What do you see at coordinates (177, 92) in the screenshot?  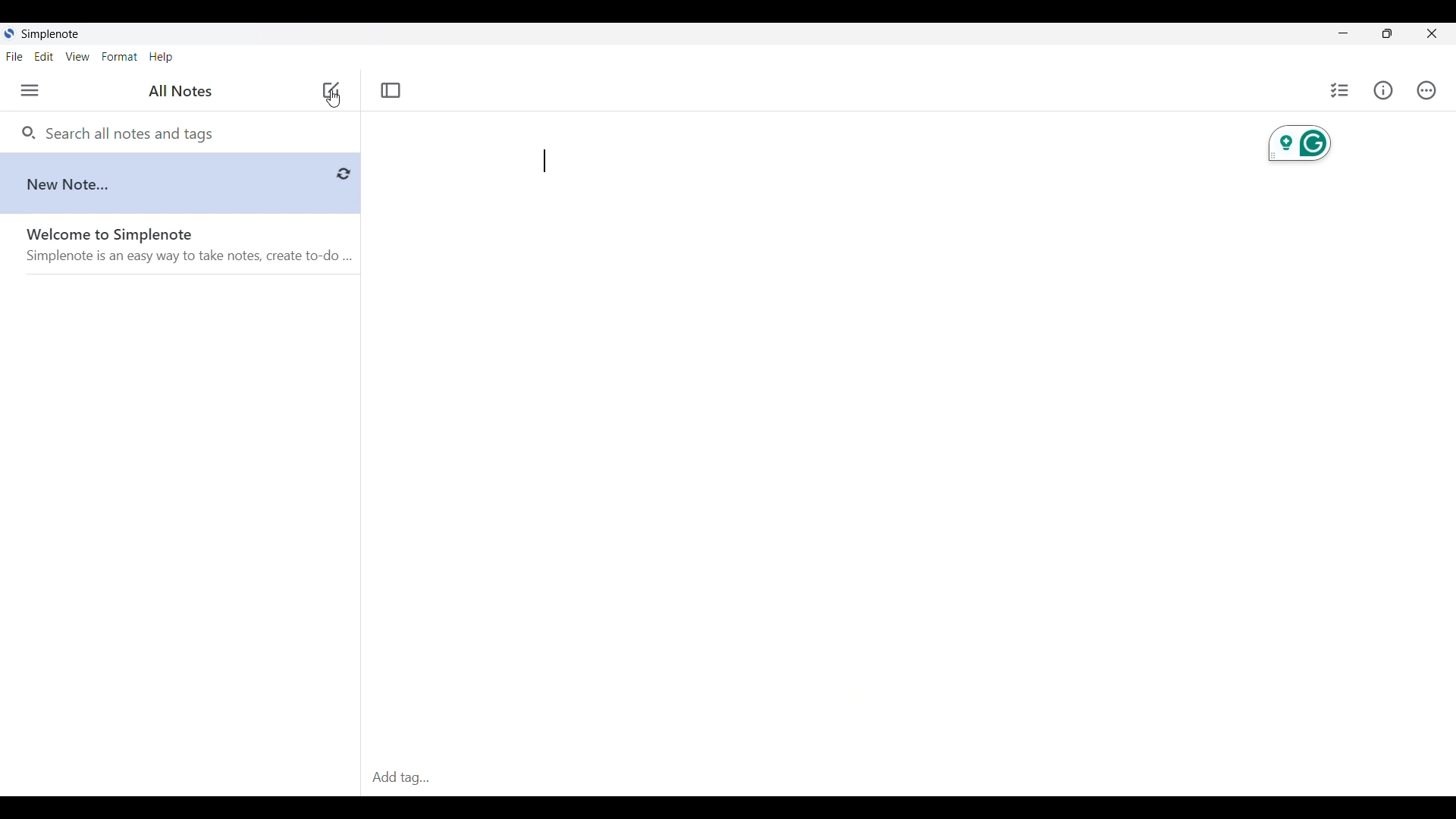 I see `All Notes` at bounding box center [177, 92].